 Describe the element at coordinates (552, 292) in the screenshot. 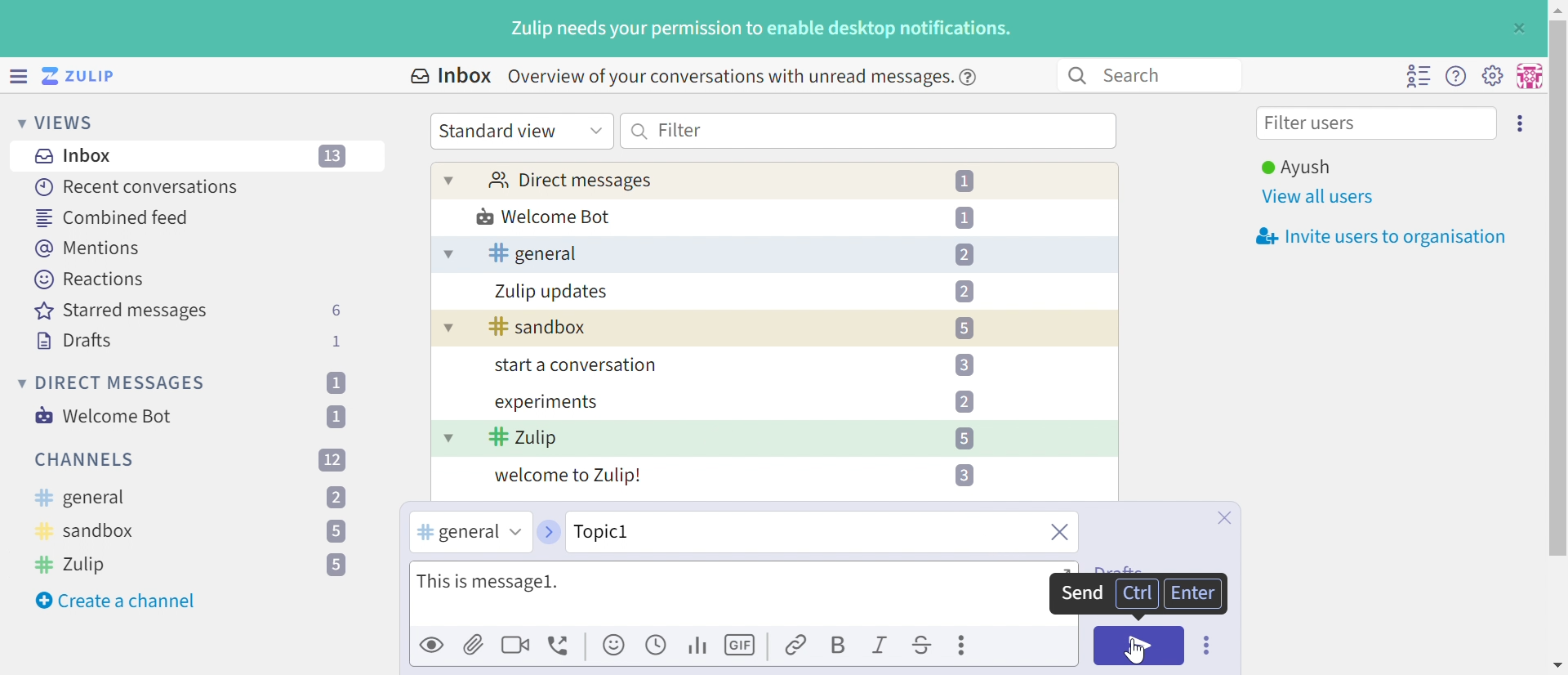

I see `Zulip updates` at that location.